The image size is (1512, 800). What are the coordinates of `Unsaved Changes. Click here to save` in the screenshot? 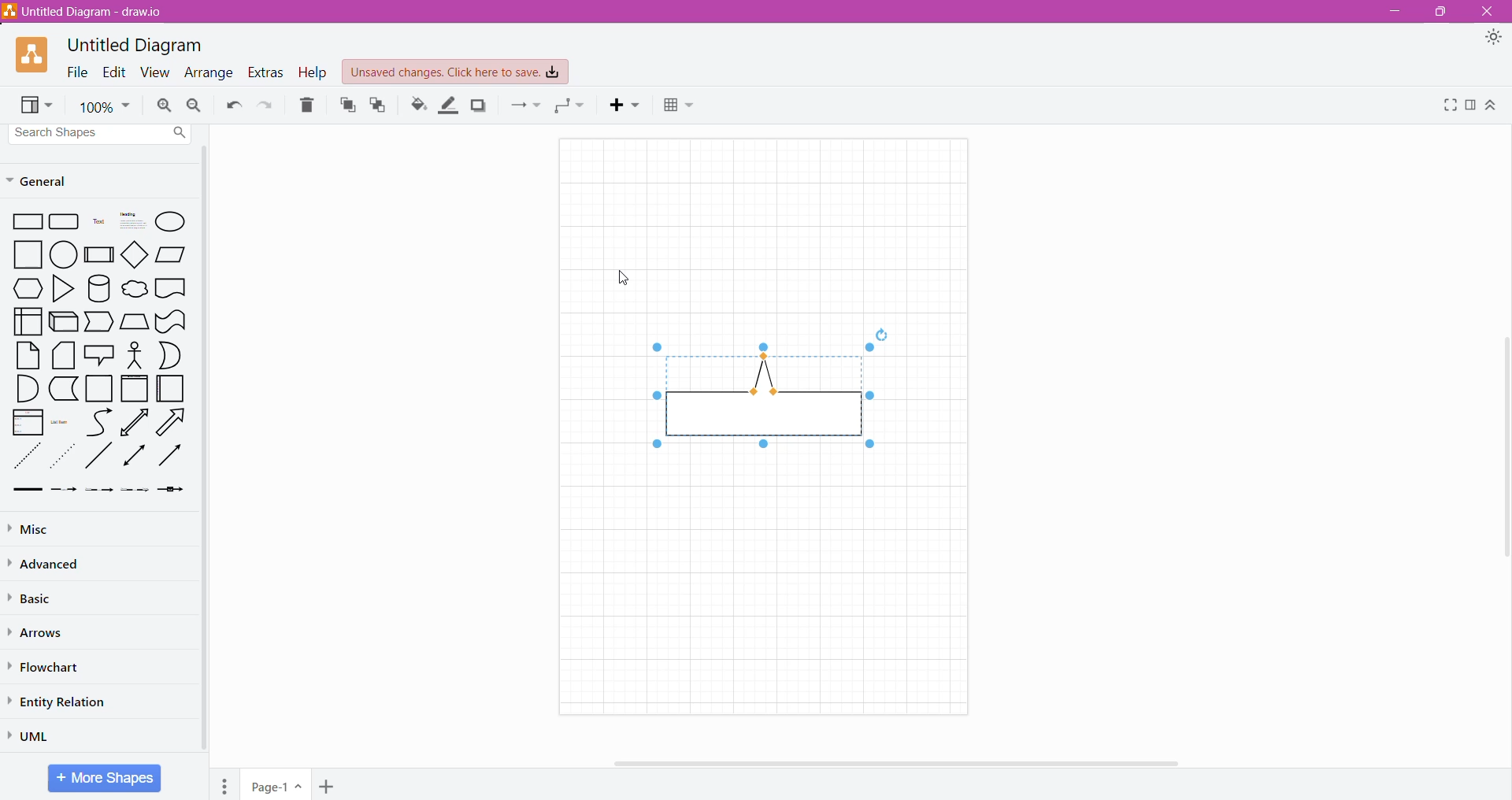 It's located at (456, 72).